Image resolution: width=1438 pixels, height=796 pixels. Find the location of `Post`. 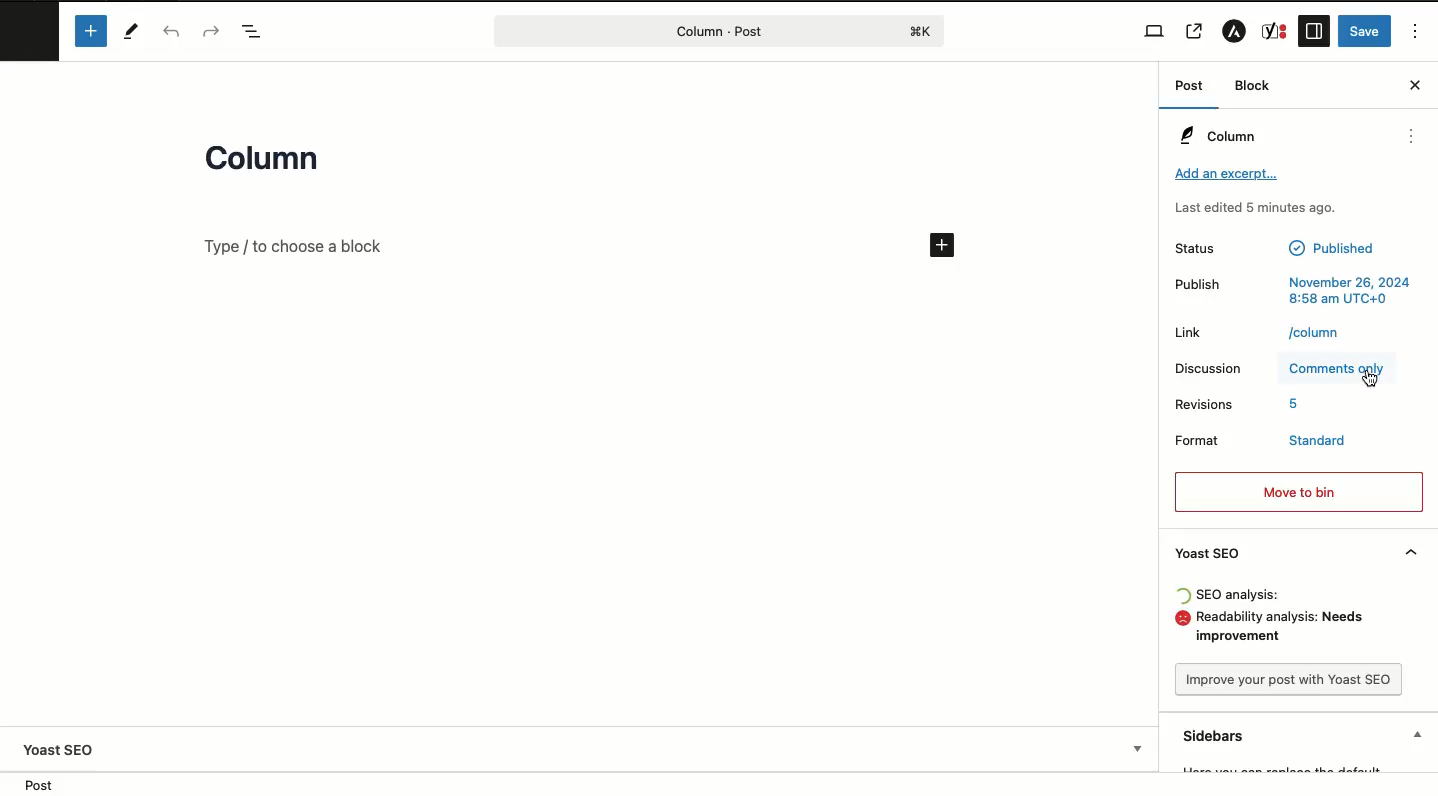

Post is located at coordinates (1194, 87).